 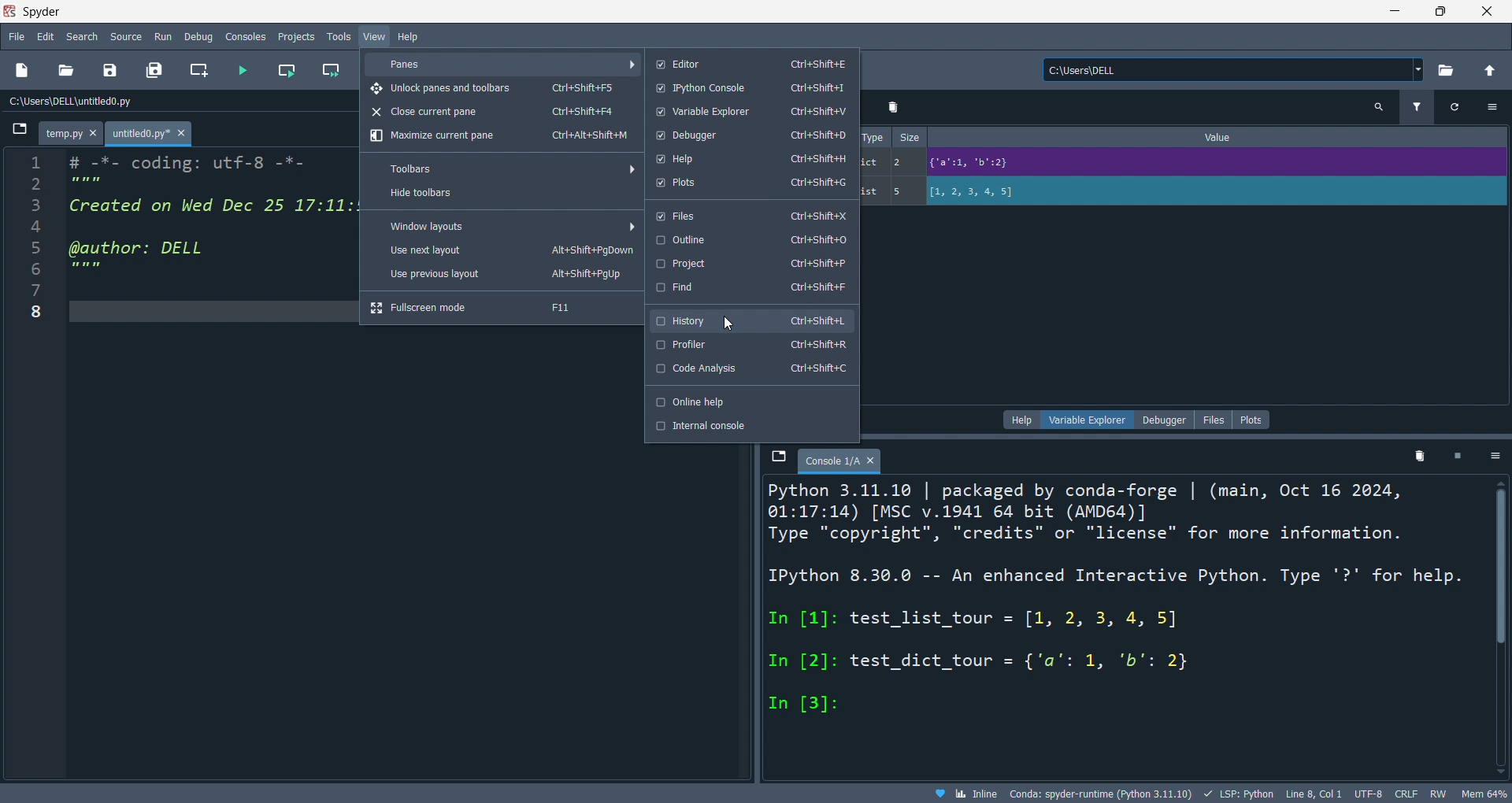 I want to click on 5, so click(x=903, y=191).